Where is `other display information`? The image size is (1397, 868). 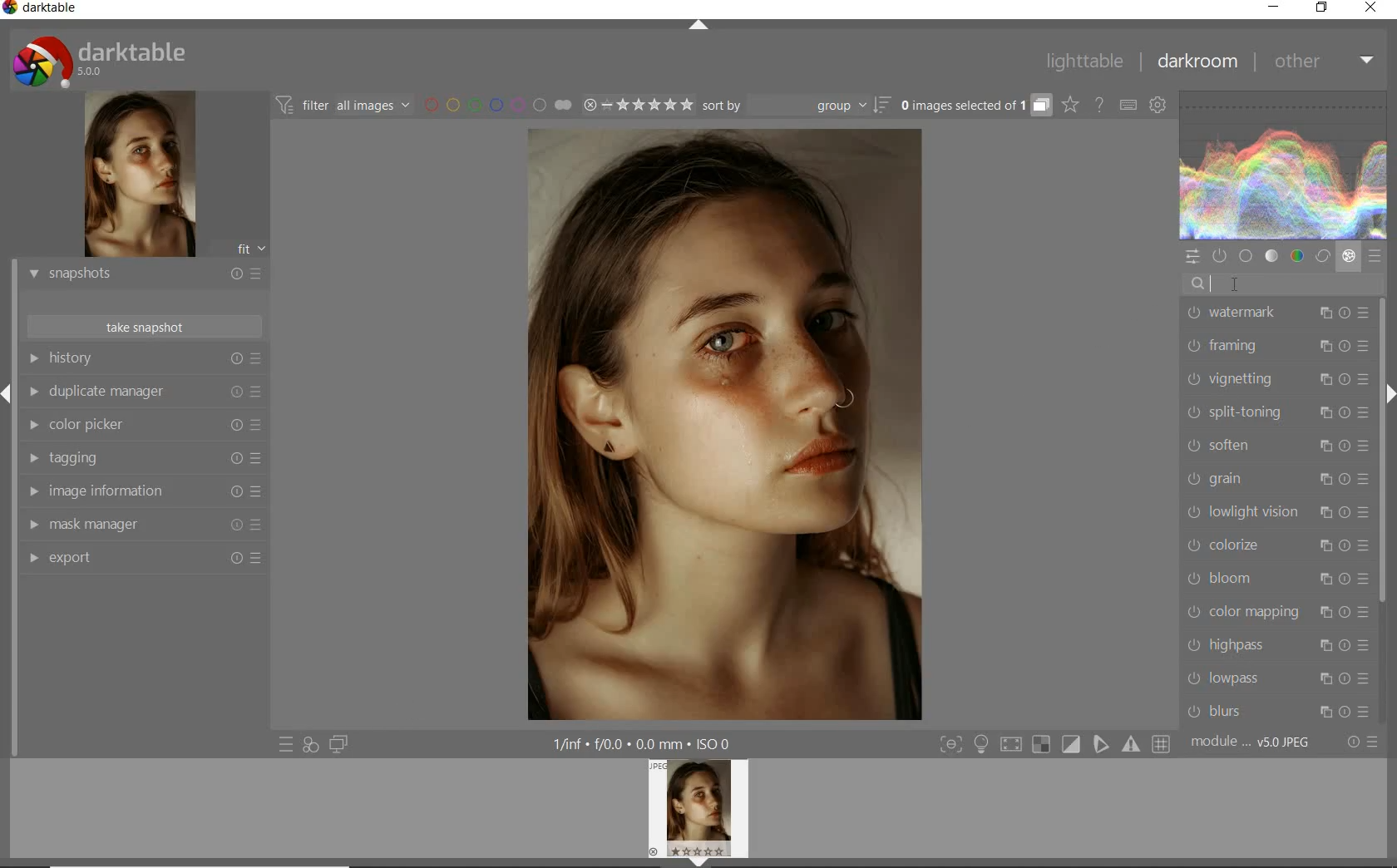
other display information is located at coordinates (645, 744).